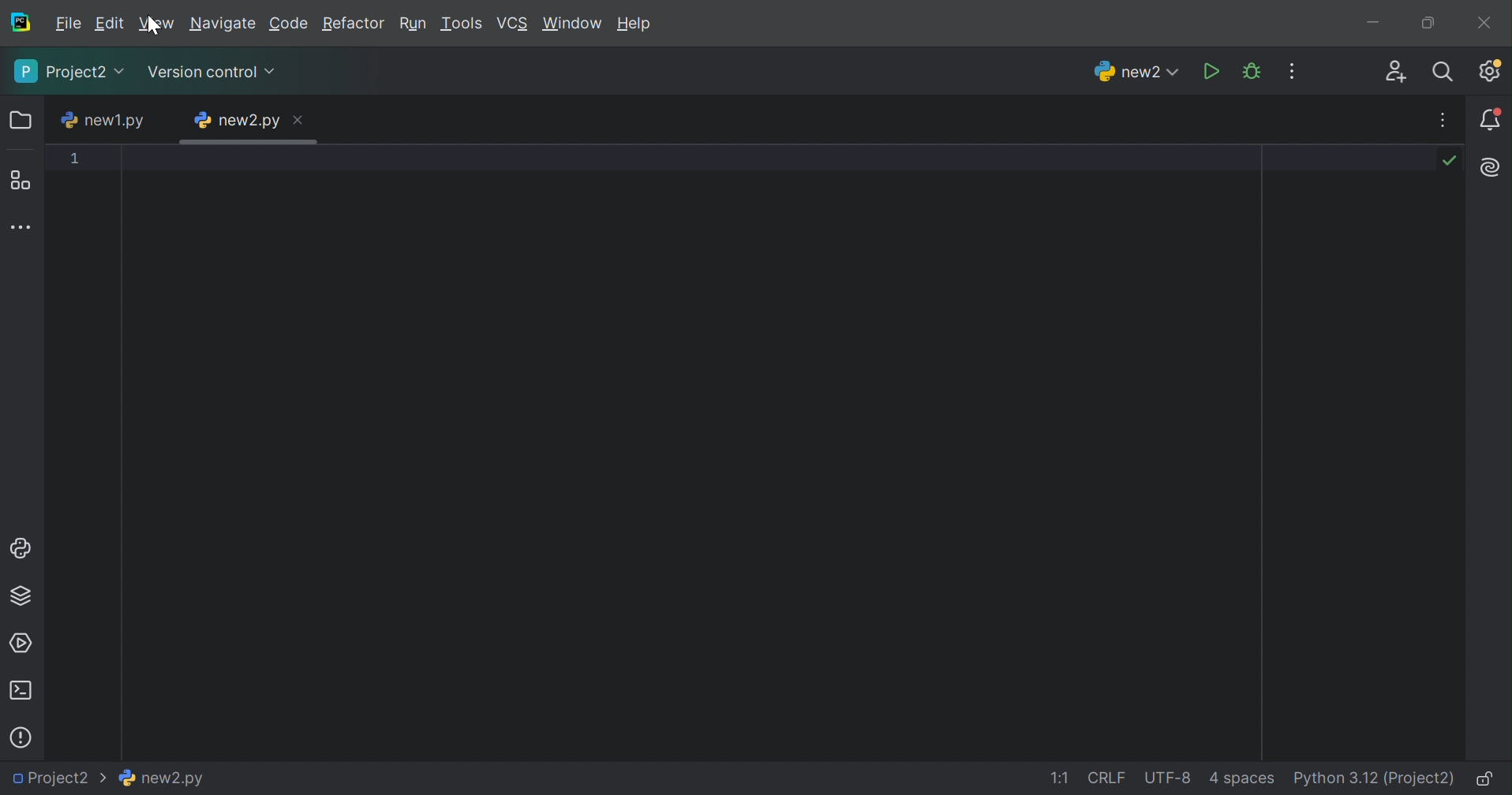 The width and height of the screenshot is (1512, 795). I want to click on CRLF, so click(1105, 777).